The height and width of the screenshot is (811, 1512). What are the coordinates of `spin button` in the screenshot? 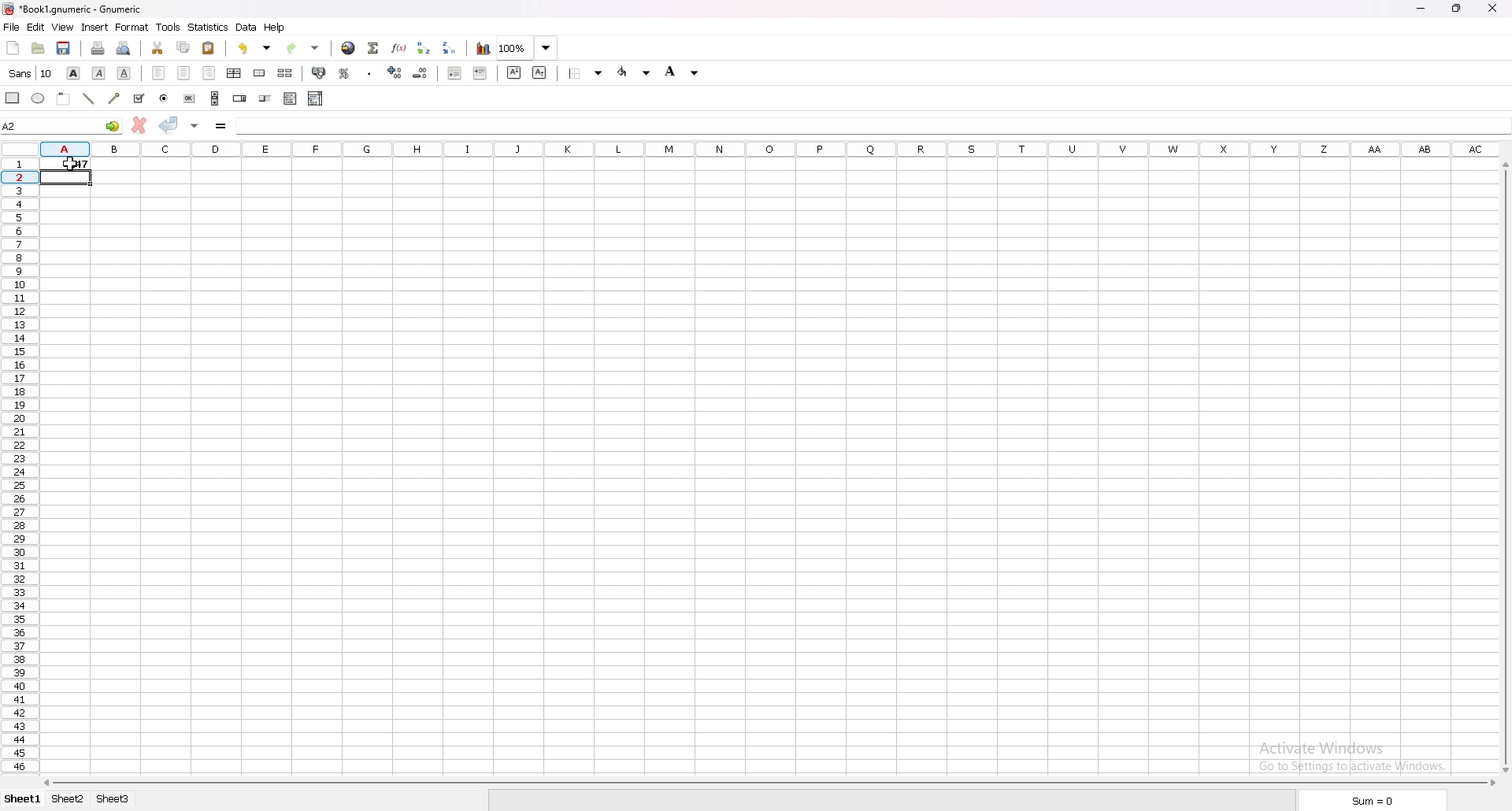 It's located at (240, 98).